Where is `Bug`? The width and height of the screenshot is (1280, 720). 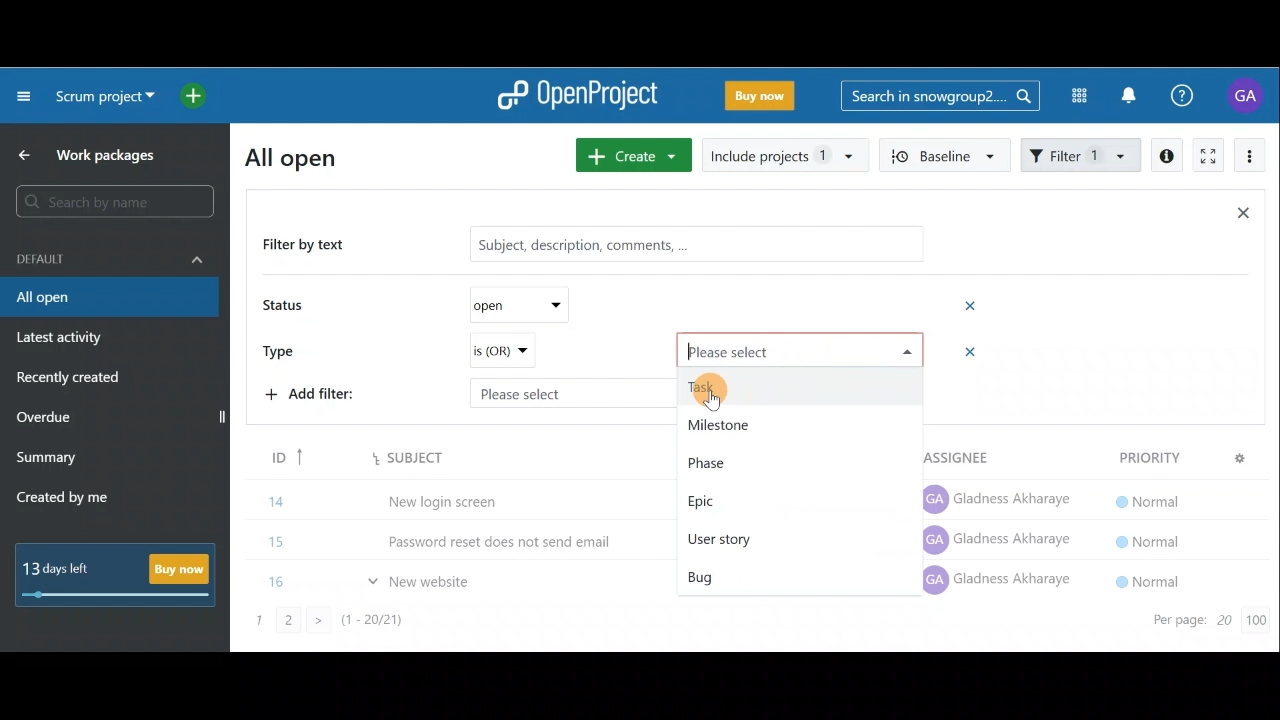
Bug is located at coordinates (760, 573).